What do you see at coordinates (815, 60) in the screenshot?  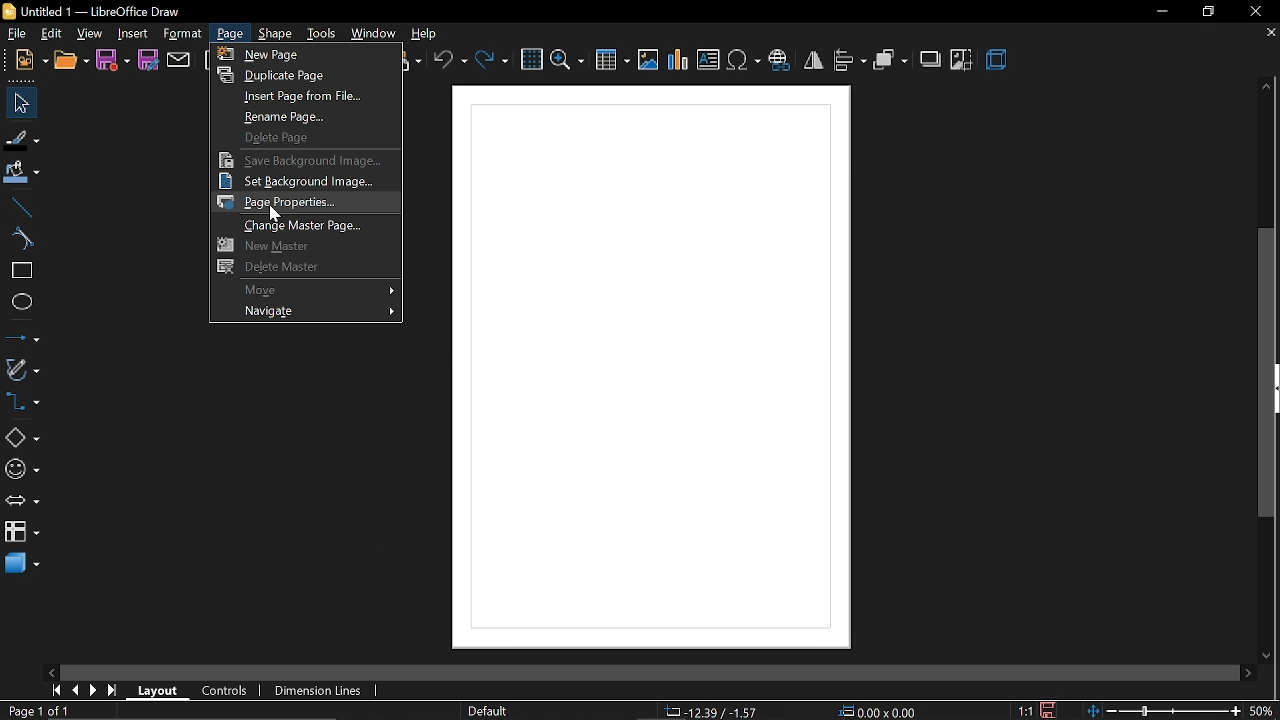 I see `flip` at bounding box center [815, 60].